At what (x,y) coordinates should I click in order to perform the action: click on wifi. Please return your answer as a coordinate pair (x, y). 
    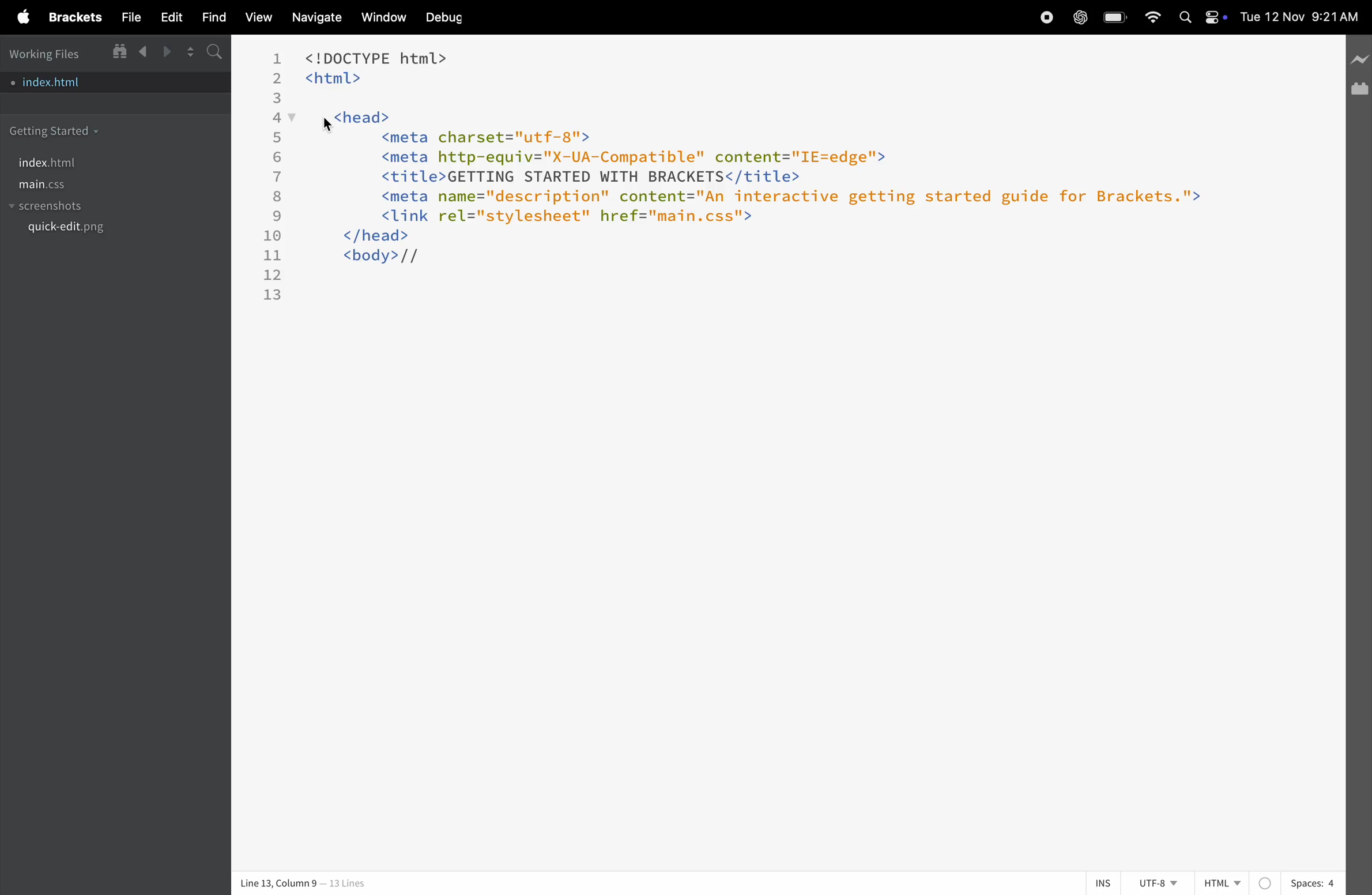
    Looking at the image, I should click on (1150, 16).